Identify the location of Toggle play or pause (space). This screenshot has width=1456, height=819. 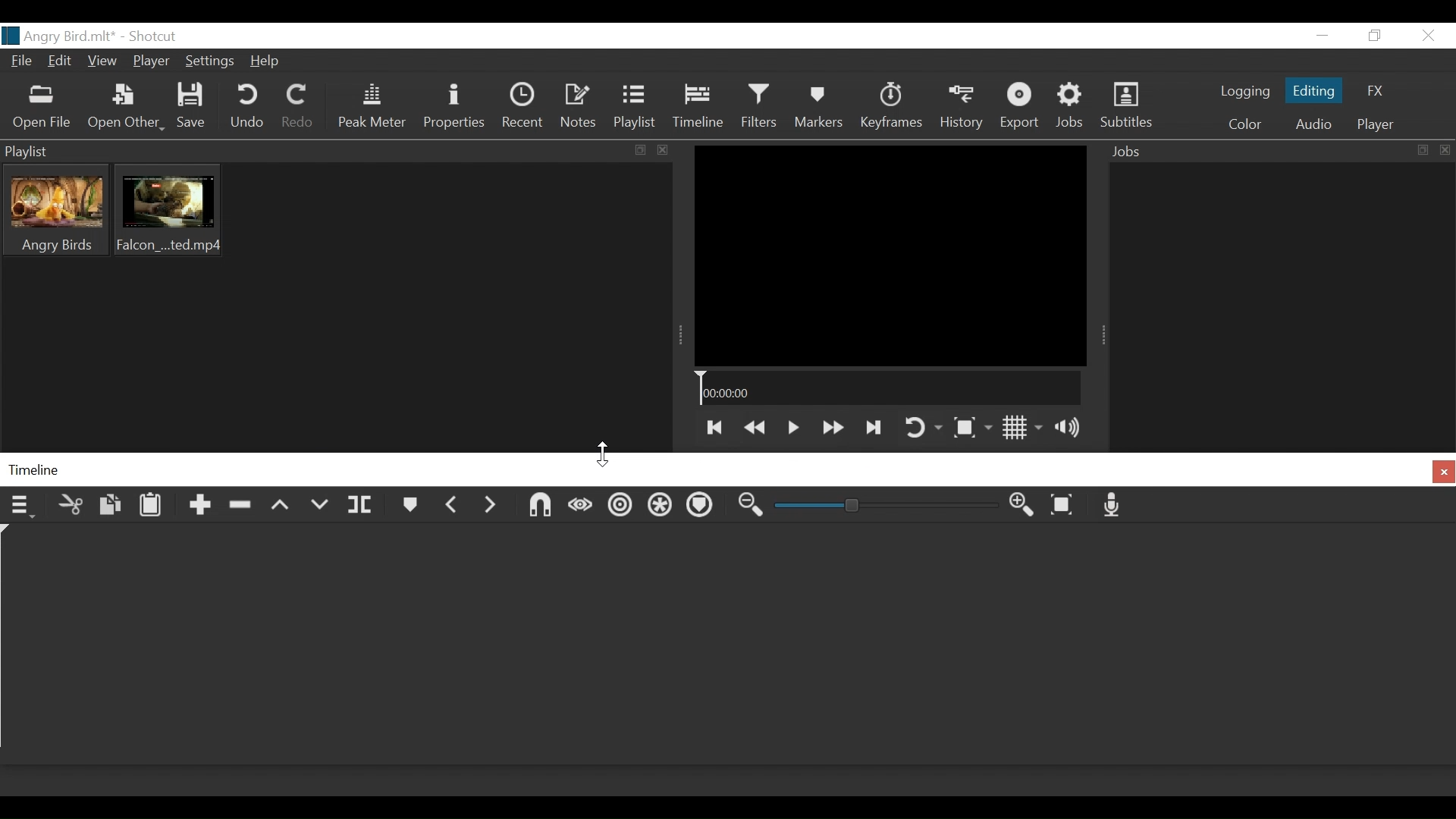
(792, 428).